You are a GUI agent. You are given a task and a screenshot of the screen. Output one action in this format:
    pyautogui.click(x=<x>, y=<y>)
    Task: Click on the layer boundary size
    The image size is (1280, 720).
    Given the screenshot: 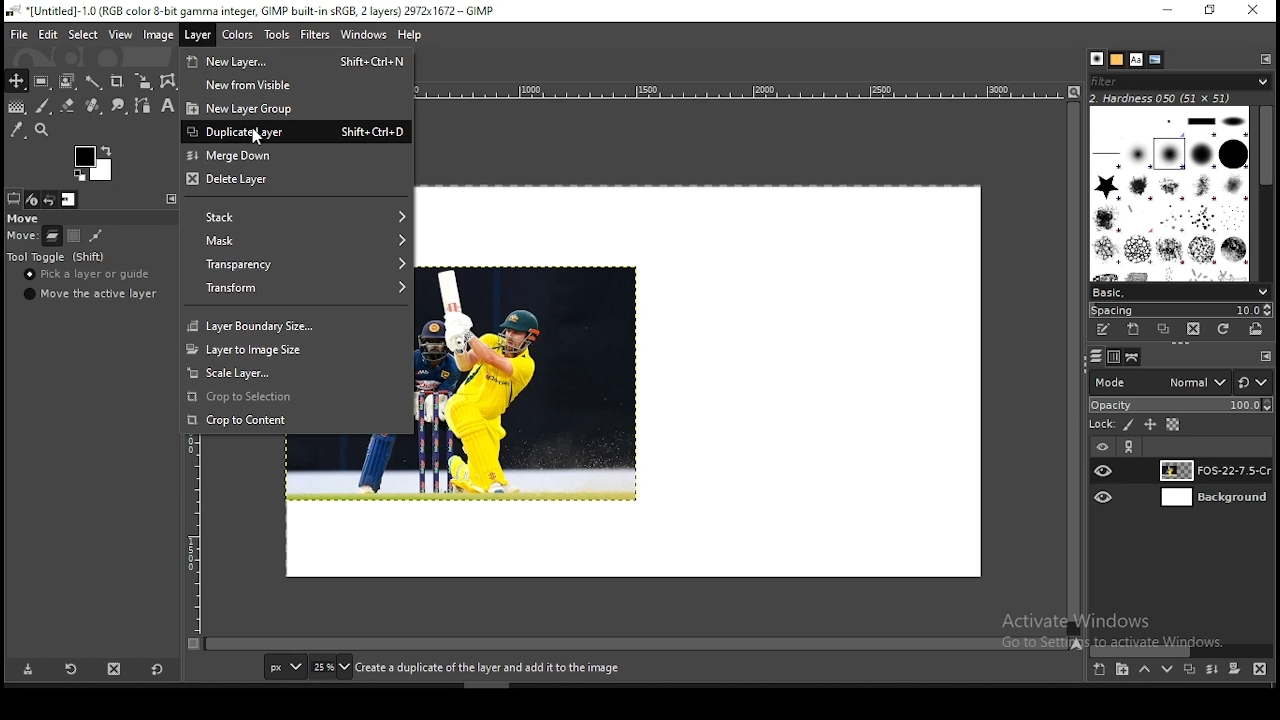 What is the action you would take?
    pyautogui.click(x=295, y=324)
    